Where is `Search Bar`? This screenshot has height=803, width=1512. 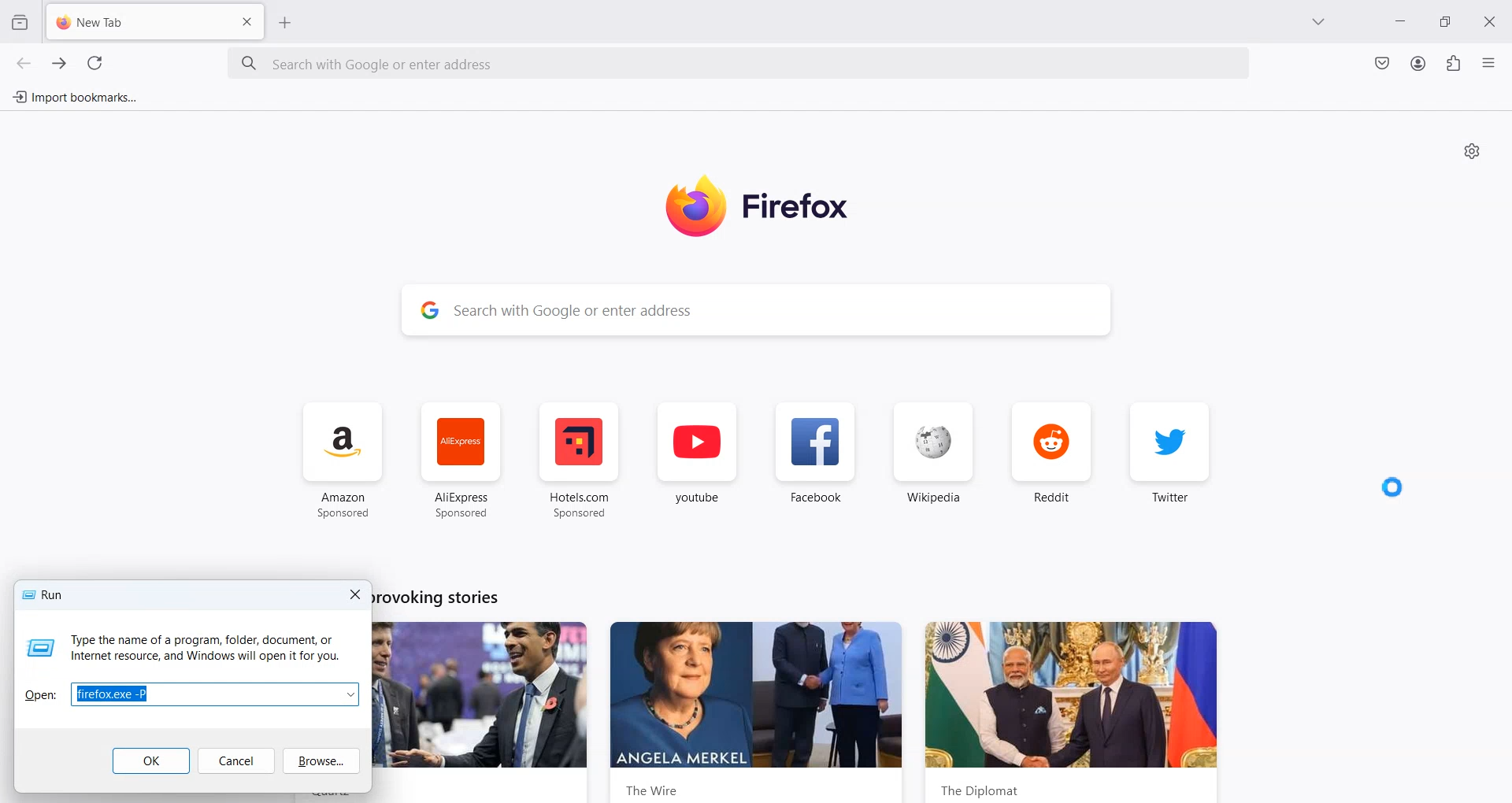
Search Bar is located at coordinates (781, 313).